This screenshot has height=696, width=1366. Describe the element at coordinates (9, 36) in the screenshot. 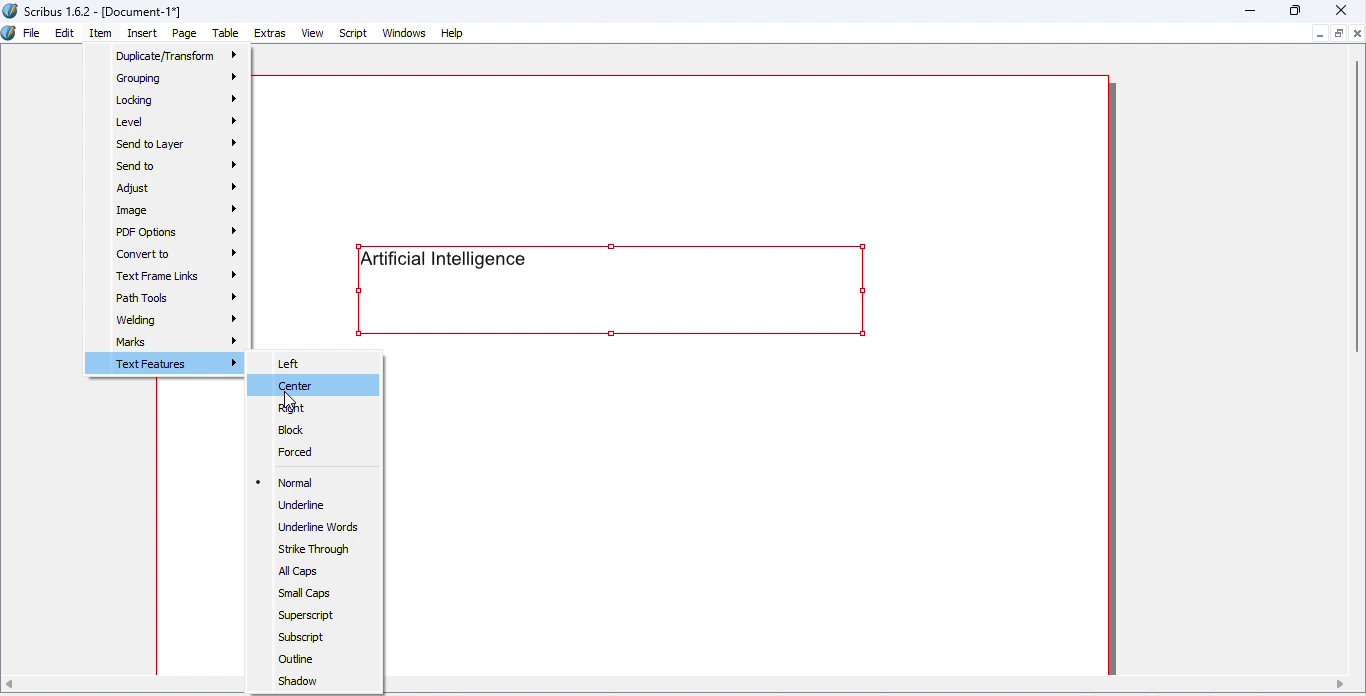

I see `Icon` at that location.